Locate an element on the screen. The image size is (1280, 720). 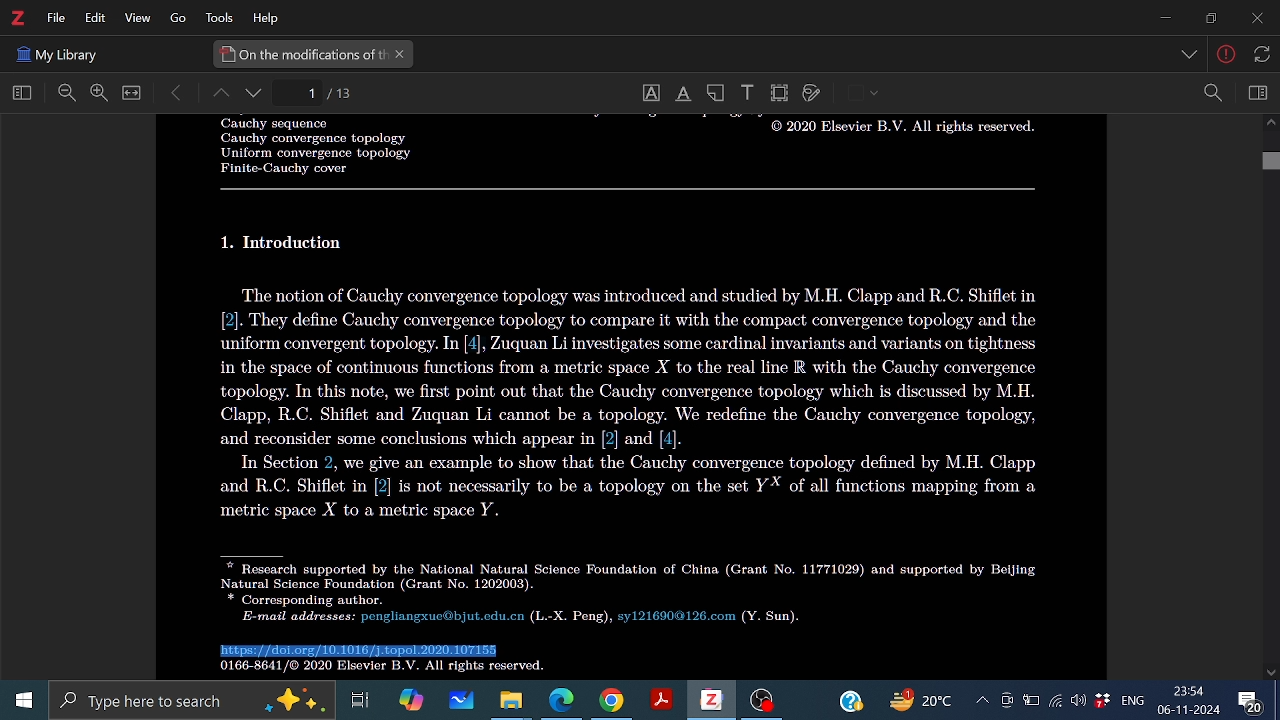
Speaker/Headphone is located at coordinates (1079, 700).